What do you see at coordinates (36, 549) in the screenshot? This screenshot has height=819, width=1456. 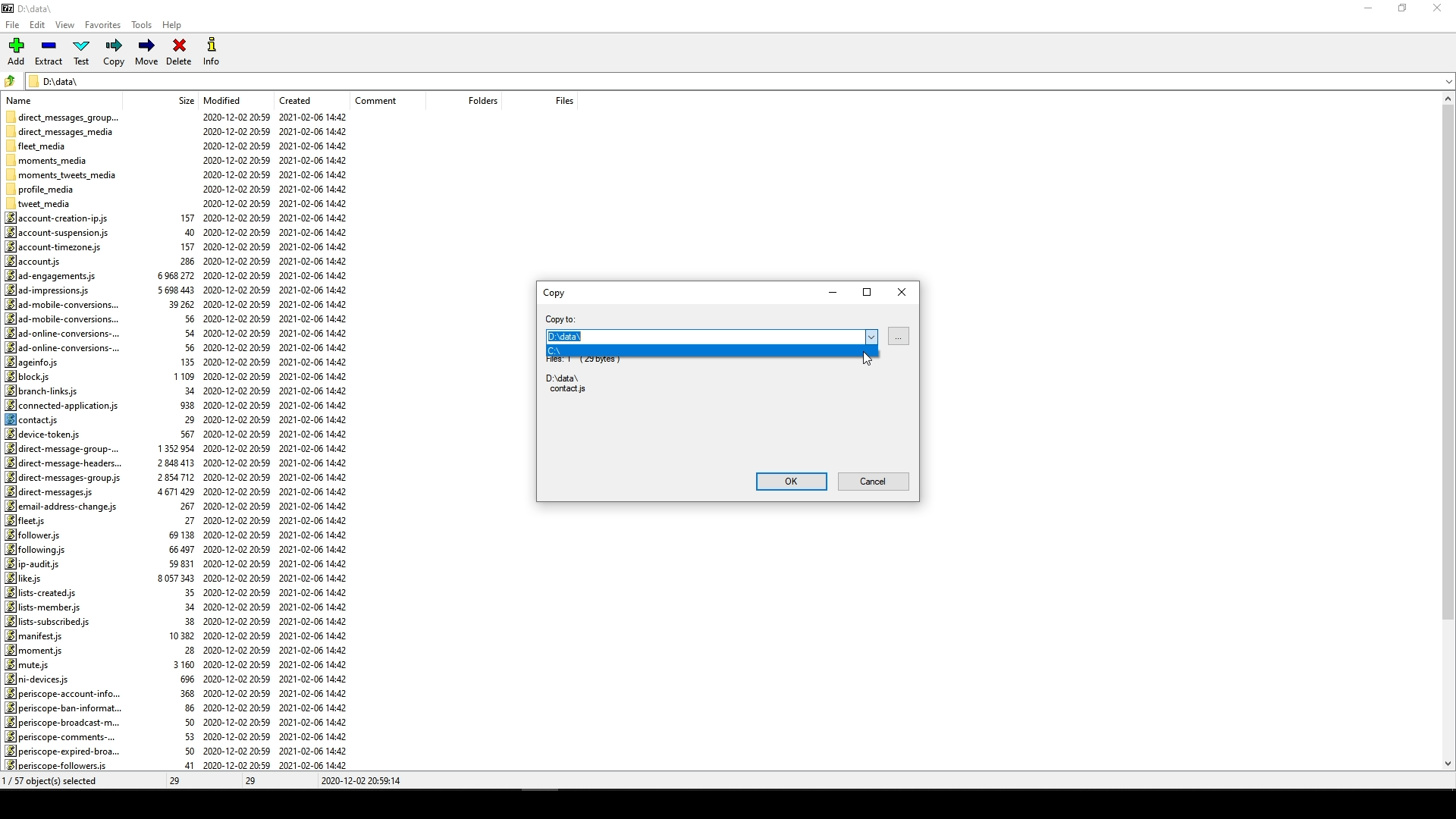 I see `fol` at bounding box center [36, 549].